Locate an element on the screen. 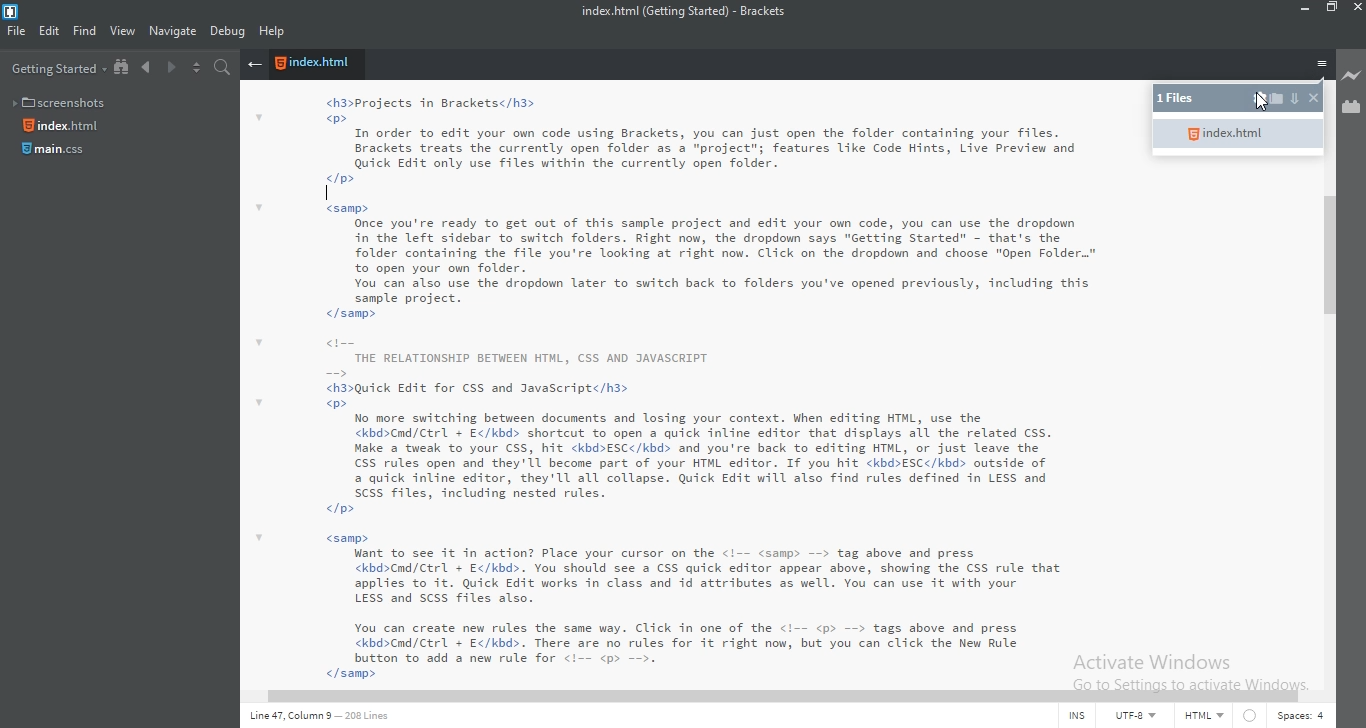 The height and width of the screenshot is (728, 1366). restore is located at coordinates (1334, 11).